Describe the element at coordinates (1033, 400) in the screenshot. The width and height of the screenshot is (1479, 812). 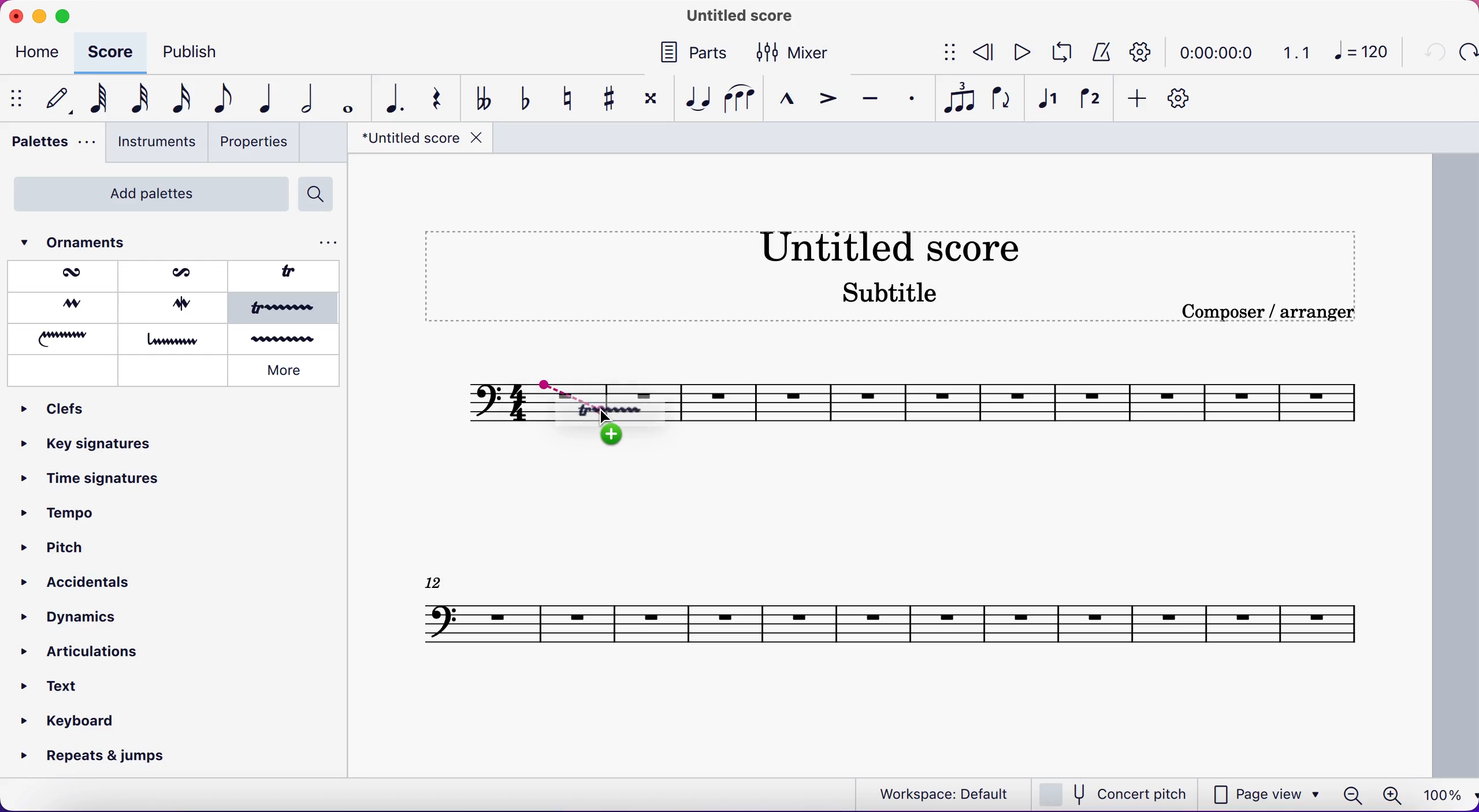
I see `score` at that location.